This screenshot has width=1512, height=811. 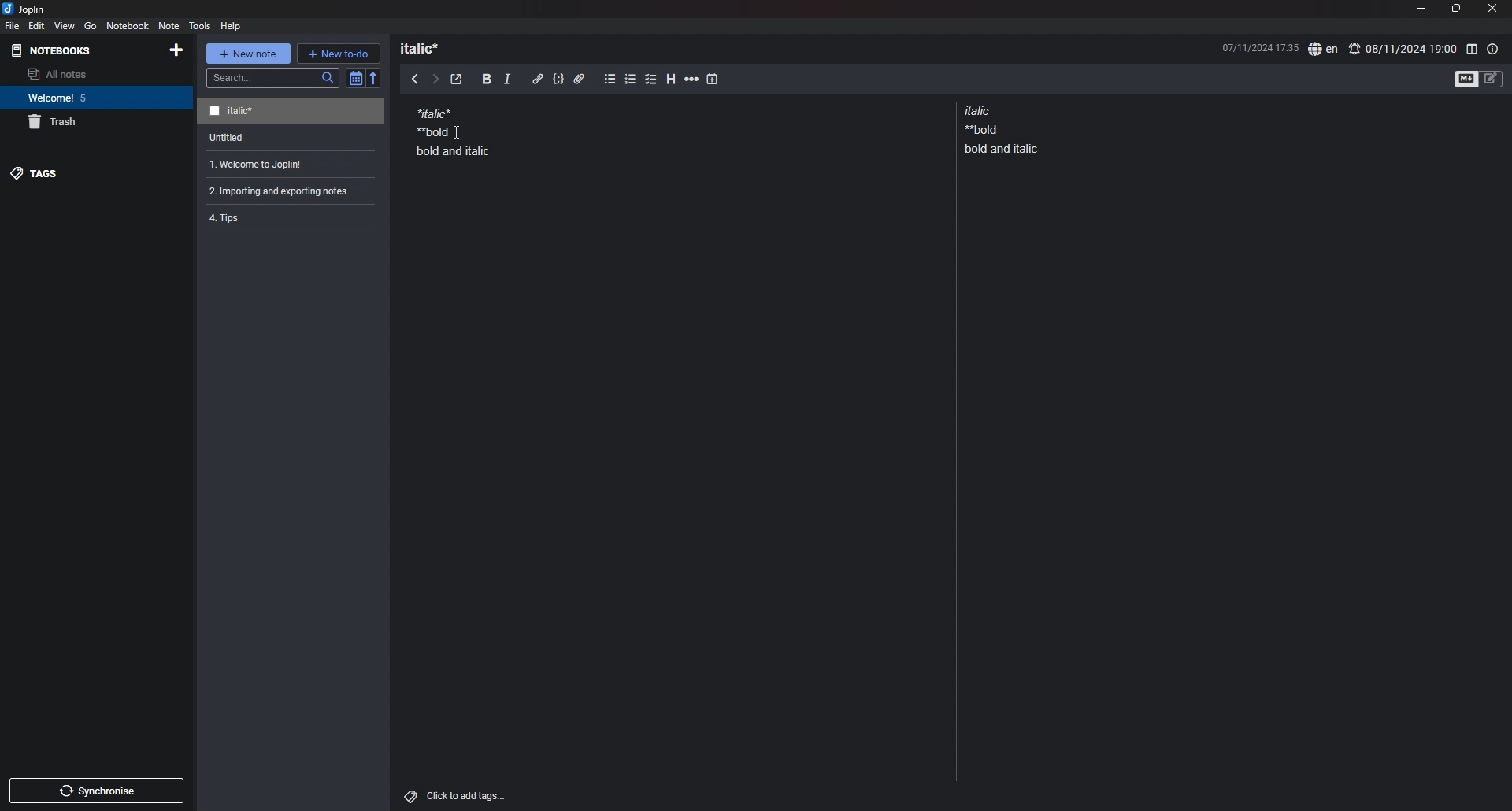 What do you see at coordinates (1479, 78) in the screenshot?
I see `toggle editors` at bounding box center [1479, 78].